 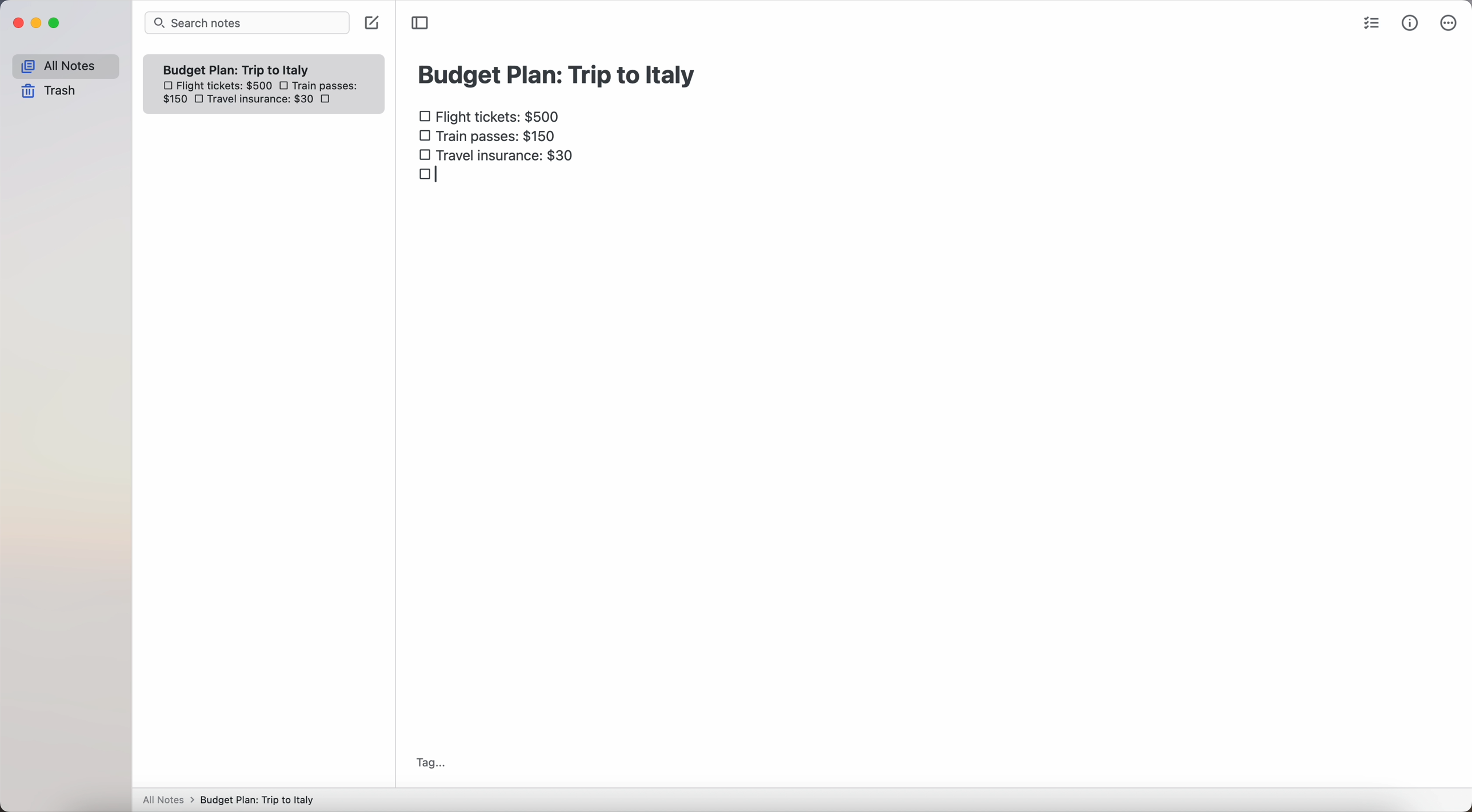 I want to click on travel insurance: $30 checkbox, so click(x=498, y=155).